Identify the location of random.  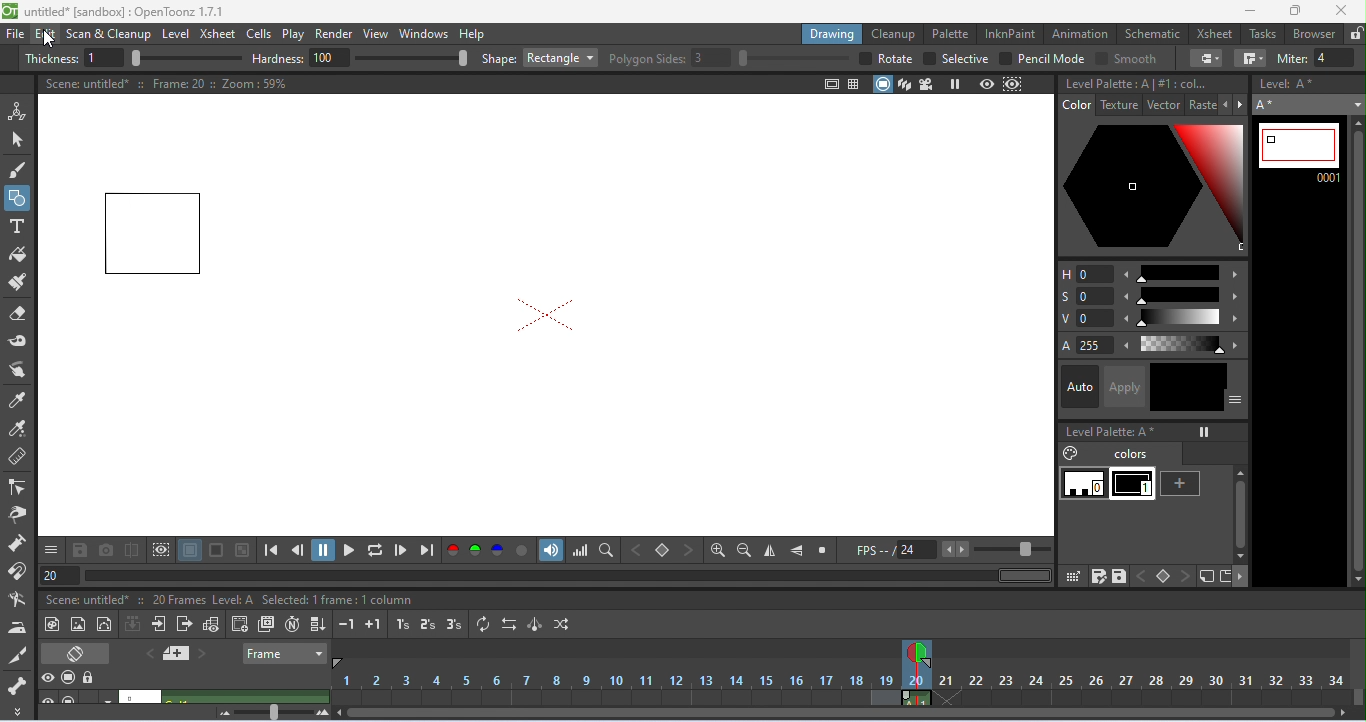
(558, 625).